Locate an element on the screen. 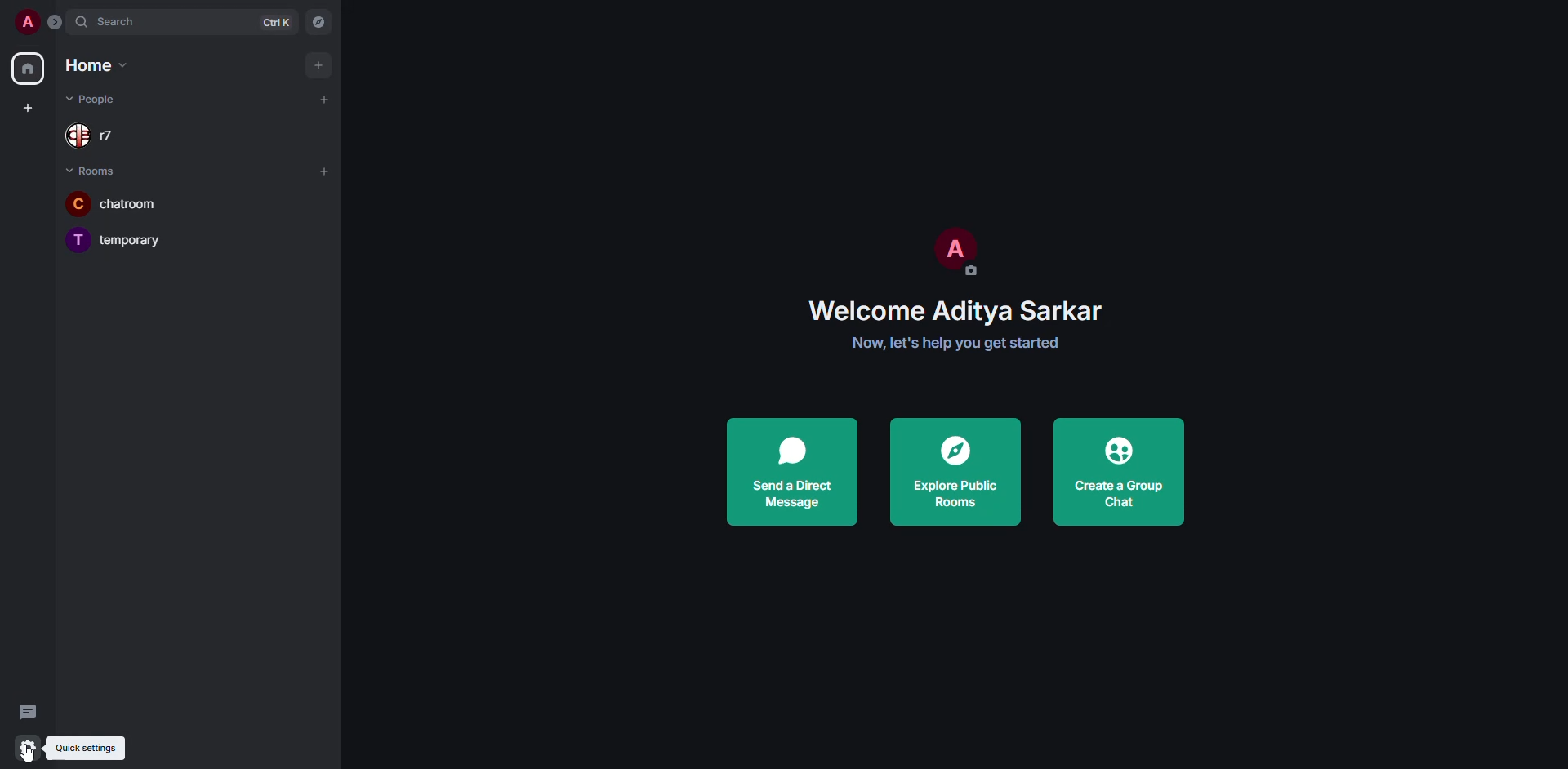  explore public rooms is located at coordinates (951, 469).